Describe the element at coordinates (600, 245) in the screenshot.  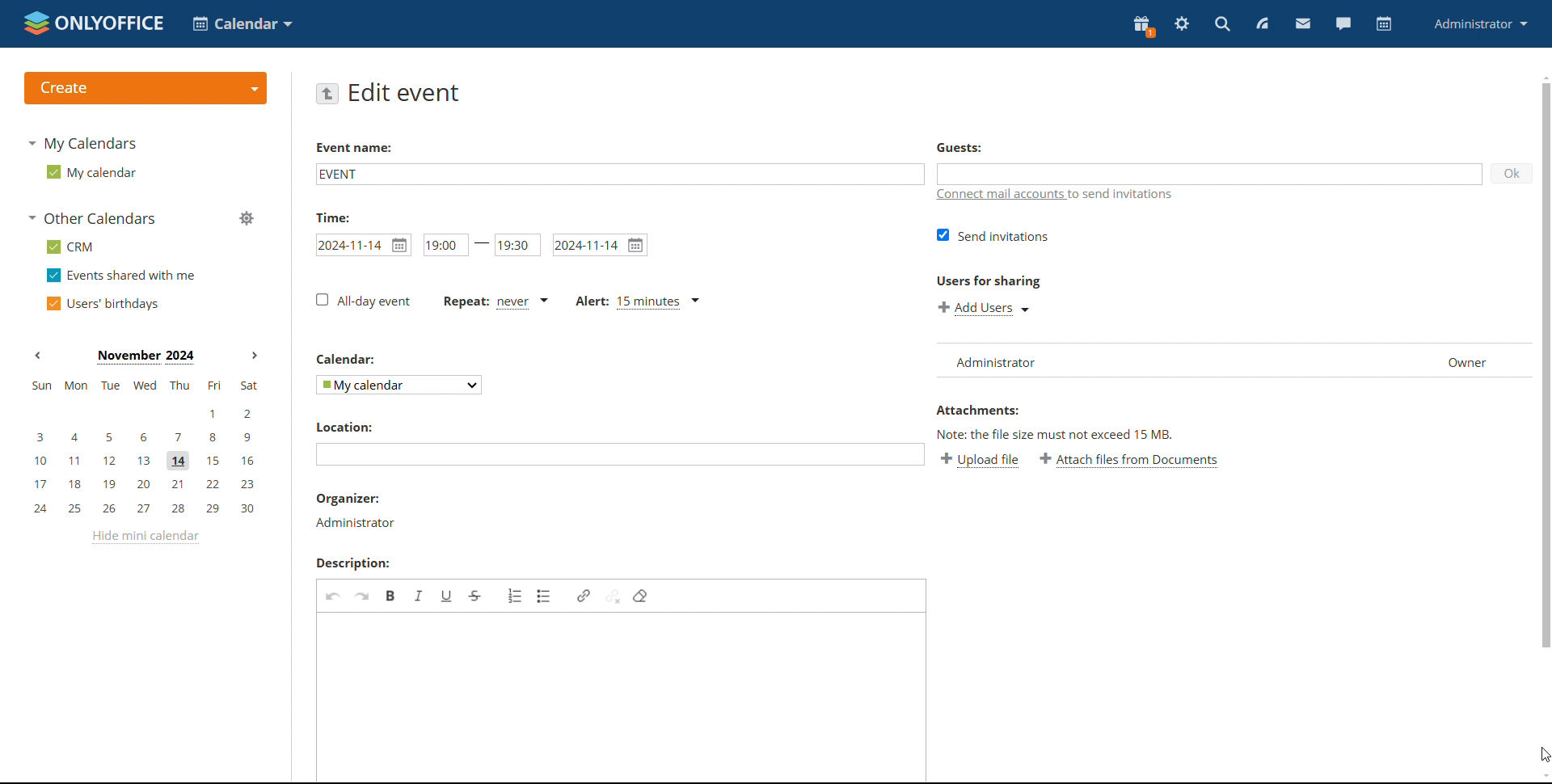
I see `end date` at that location.